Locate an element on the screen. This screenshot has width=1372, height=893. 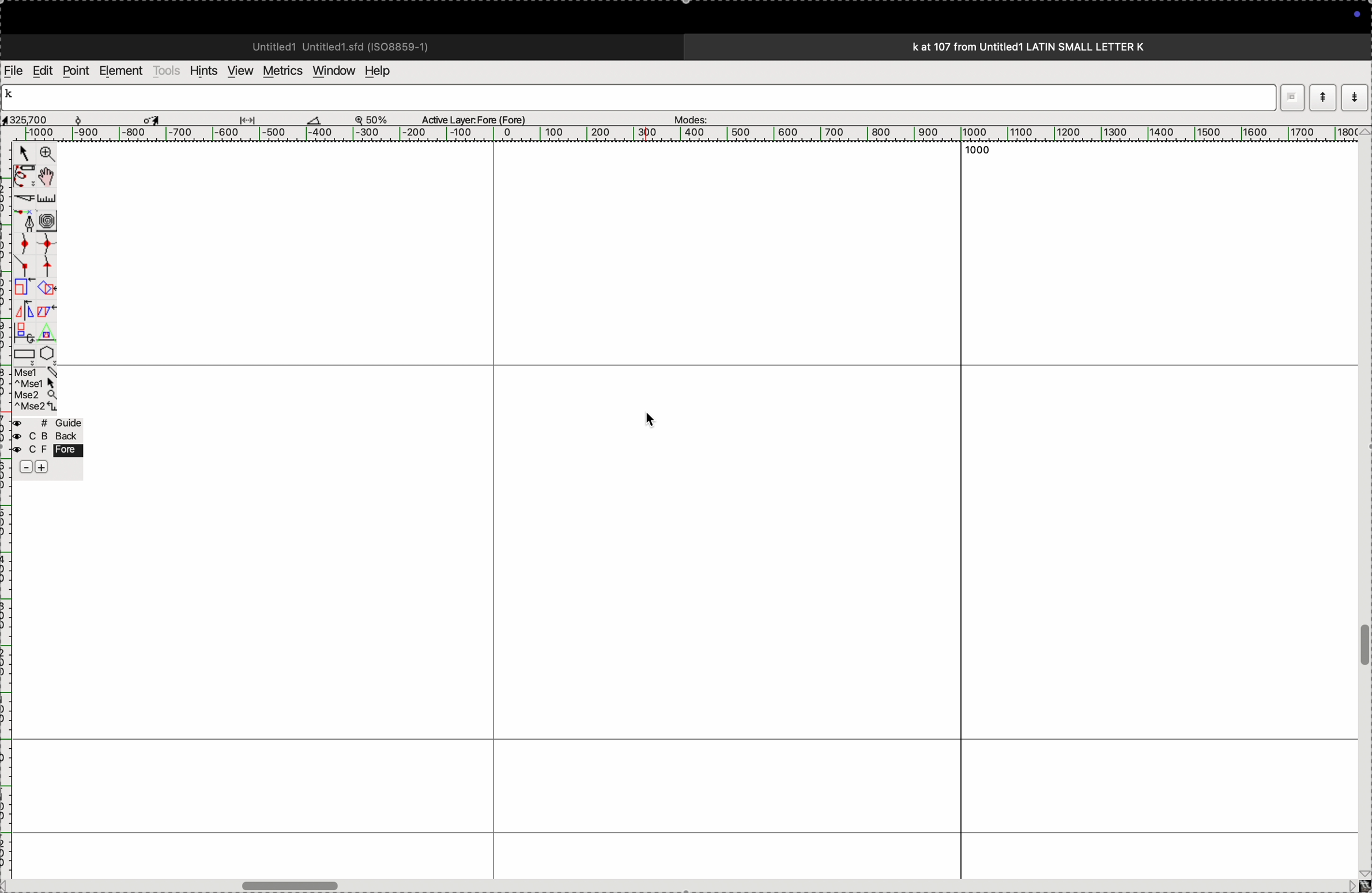
cursor is located at coordinates (24, 155).